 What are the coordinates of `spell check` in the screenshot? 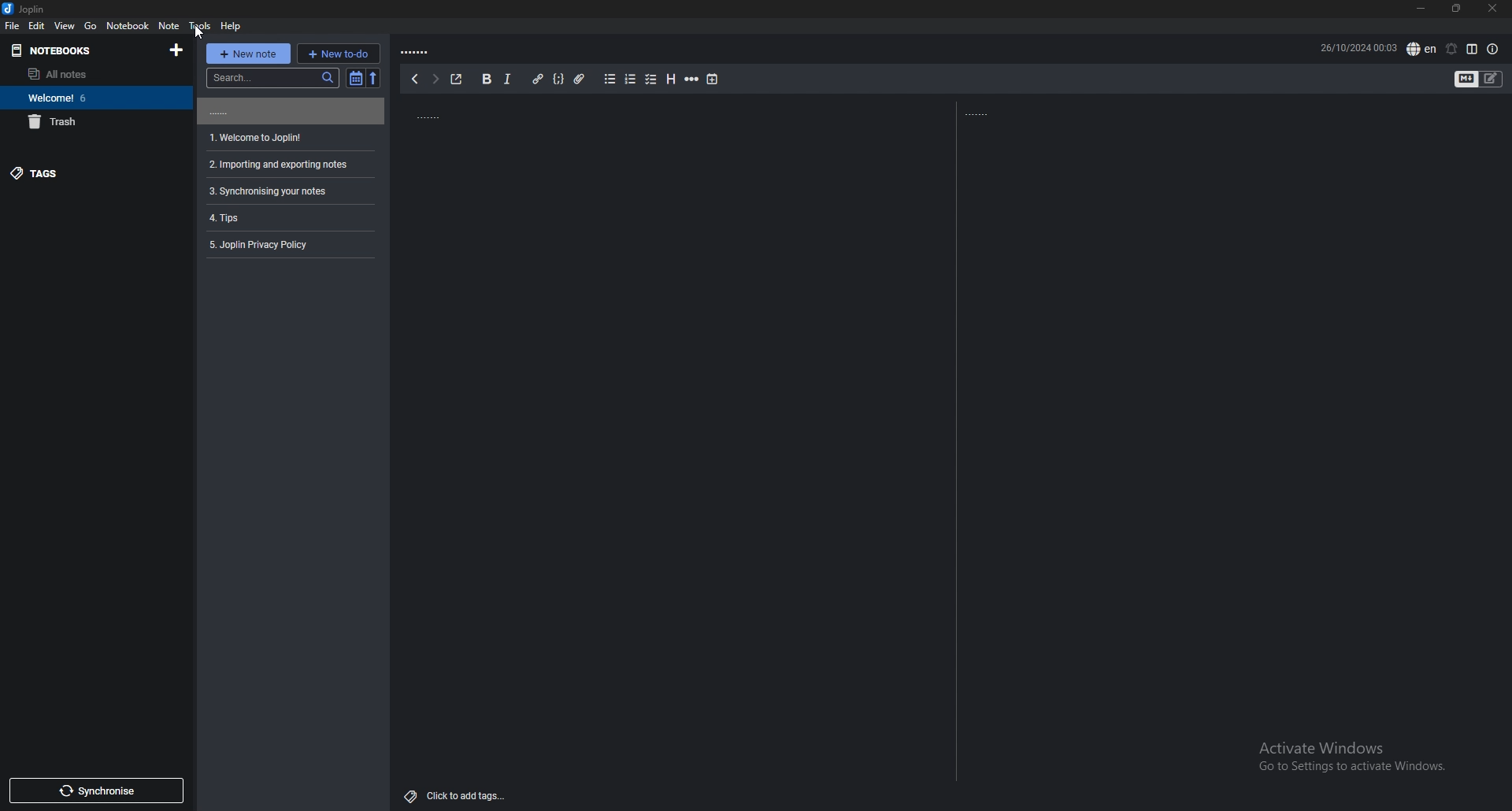 It's located at (1421, 48).